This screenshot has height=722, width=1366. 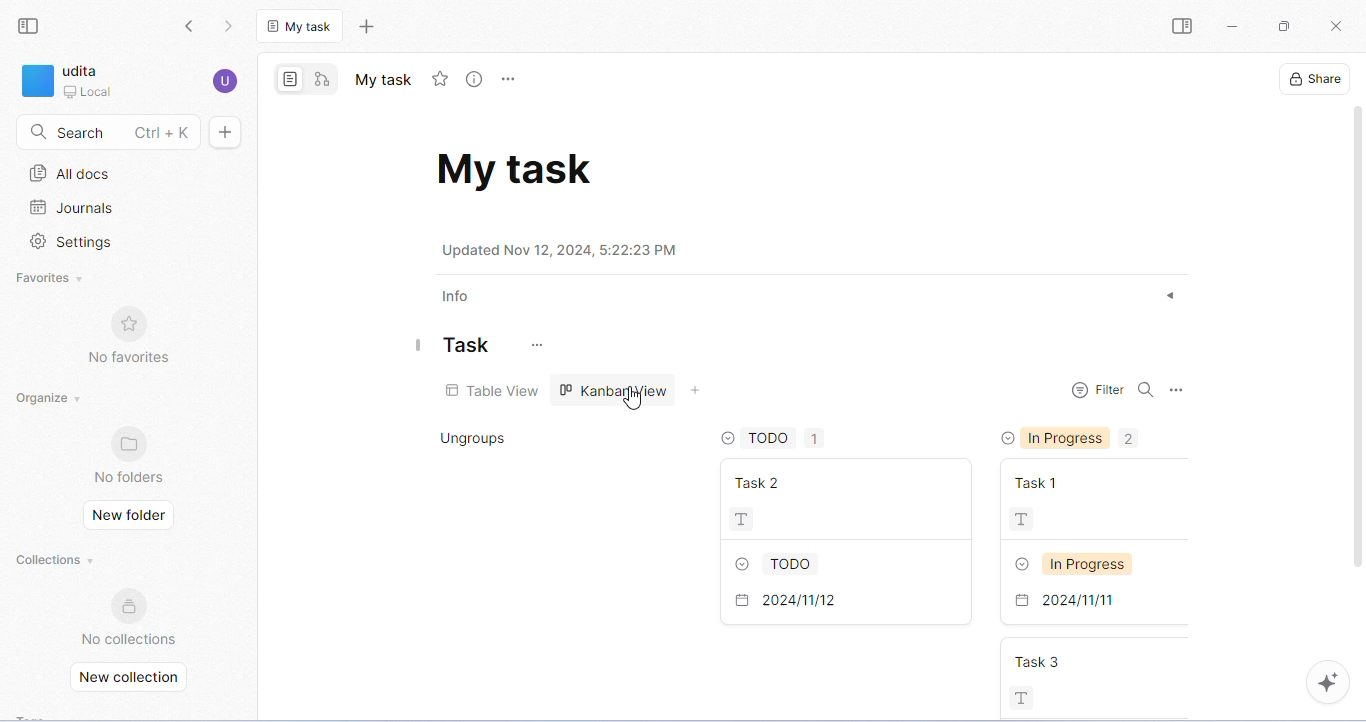 What do you see at coordinates (1104, 663) in the screenshot?
I see `Task 3` at bounding box center [1104, 663].